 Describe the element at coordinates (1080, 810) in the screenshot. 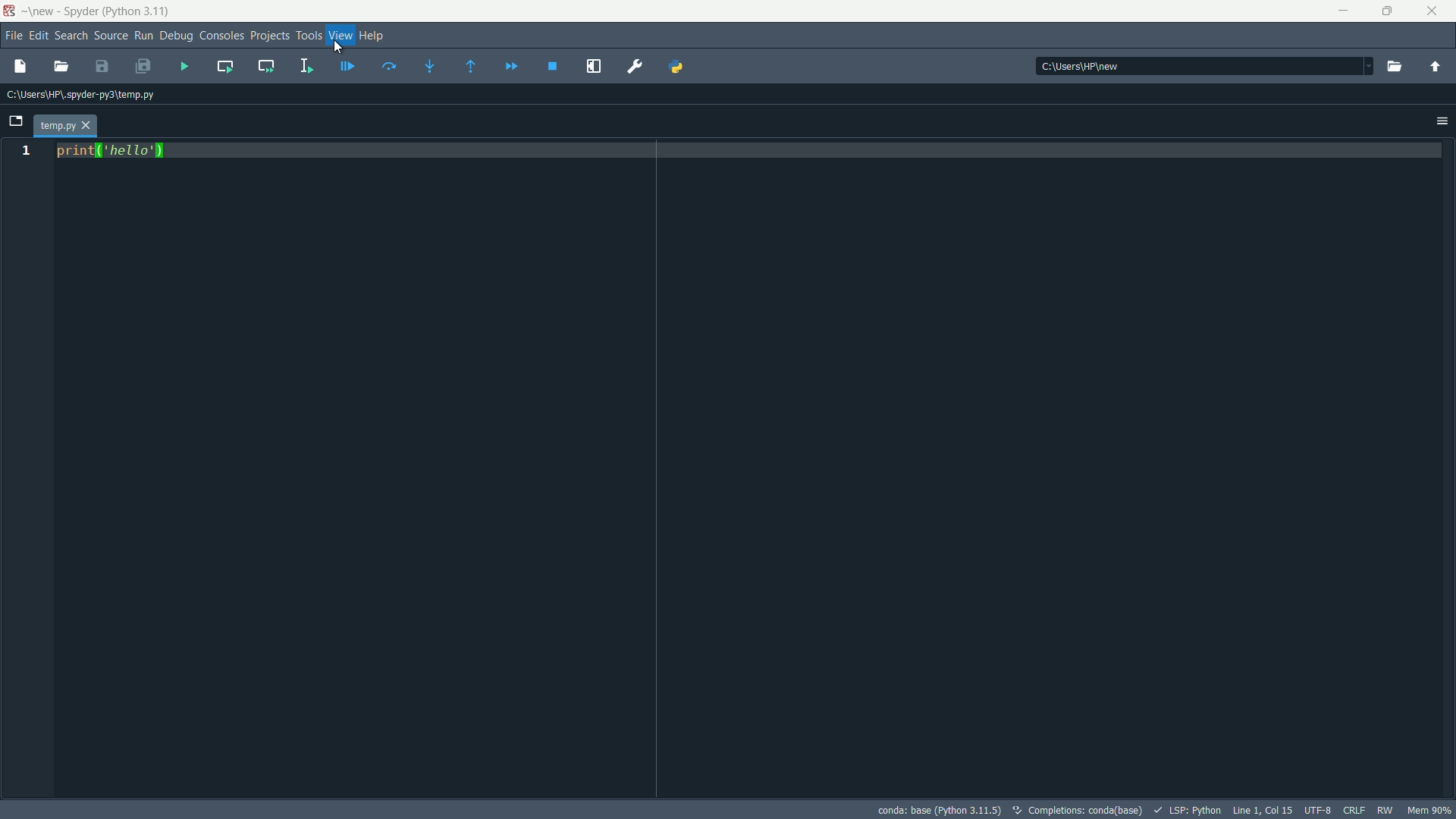

I see `completions: conda(base)` at that location.